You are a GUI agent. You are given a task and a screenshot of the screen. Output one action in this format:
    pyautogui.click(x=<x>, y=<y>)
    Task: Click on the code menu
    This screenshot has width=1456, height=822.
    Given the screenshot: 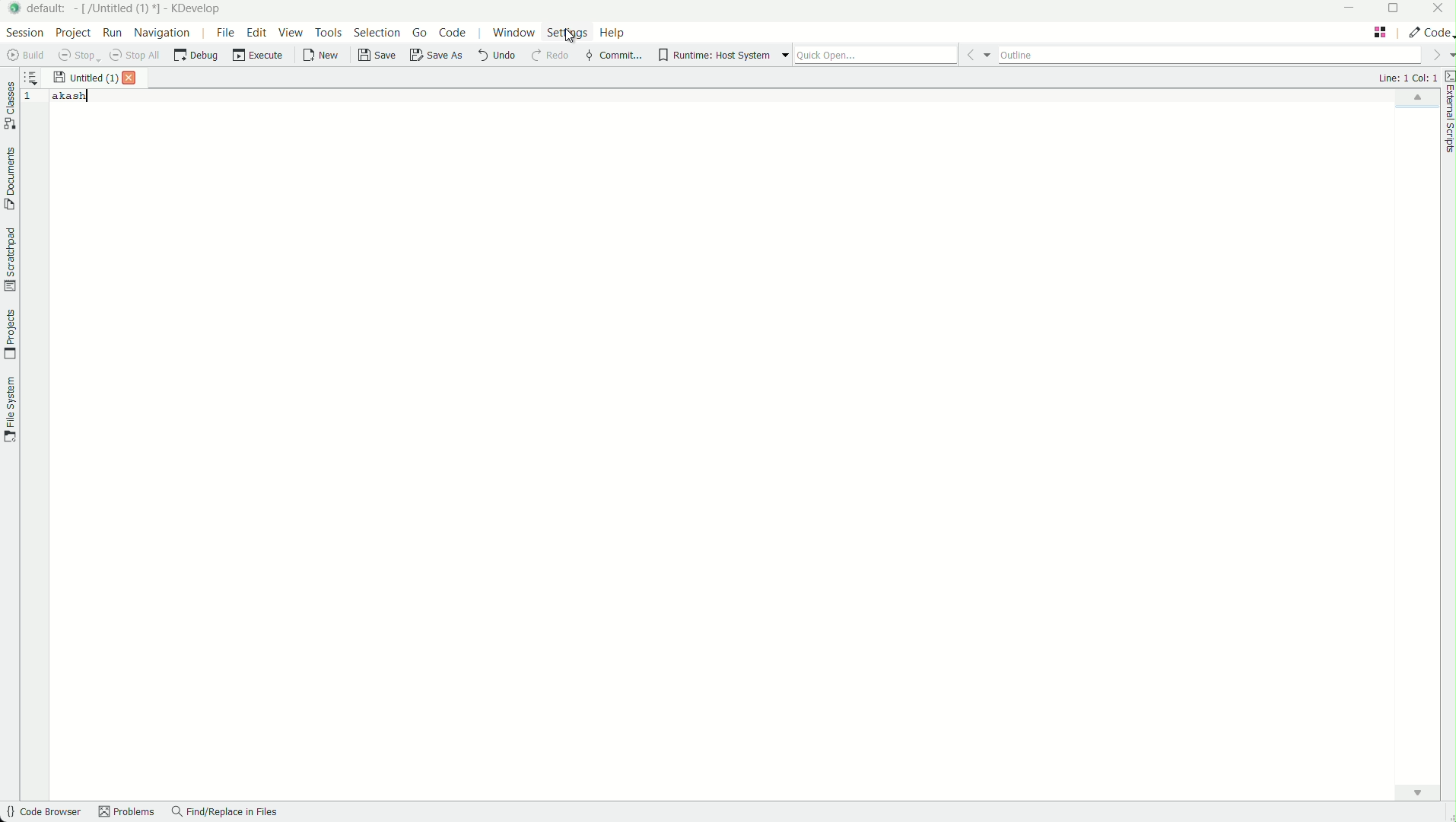 What is the action you would take?
    pyautogui.click(x=453, y=33)
    